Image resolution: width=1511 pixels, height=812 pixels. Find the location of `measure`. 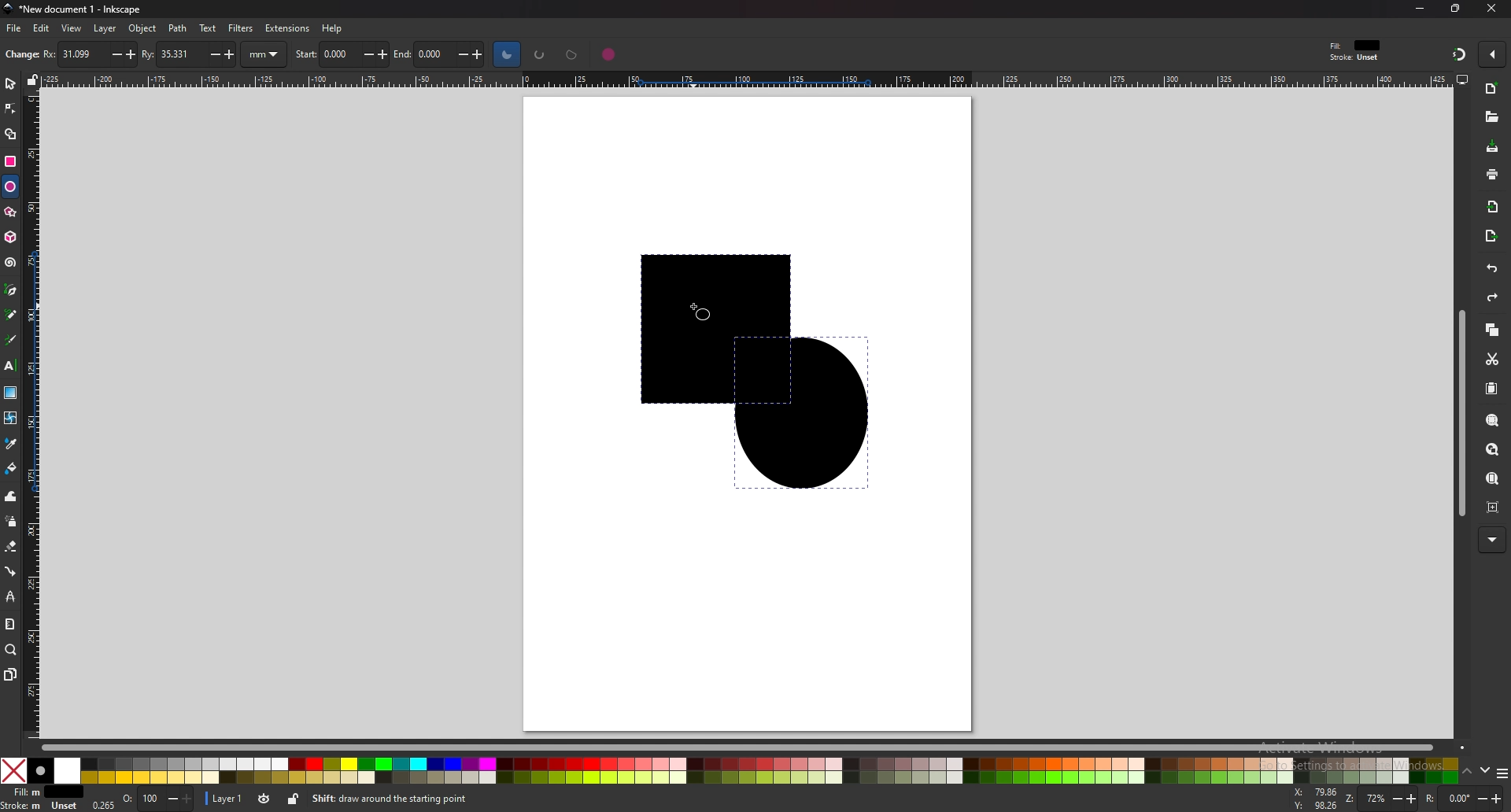

measure is located at coordinates (11, 625).